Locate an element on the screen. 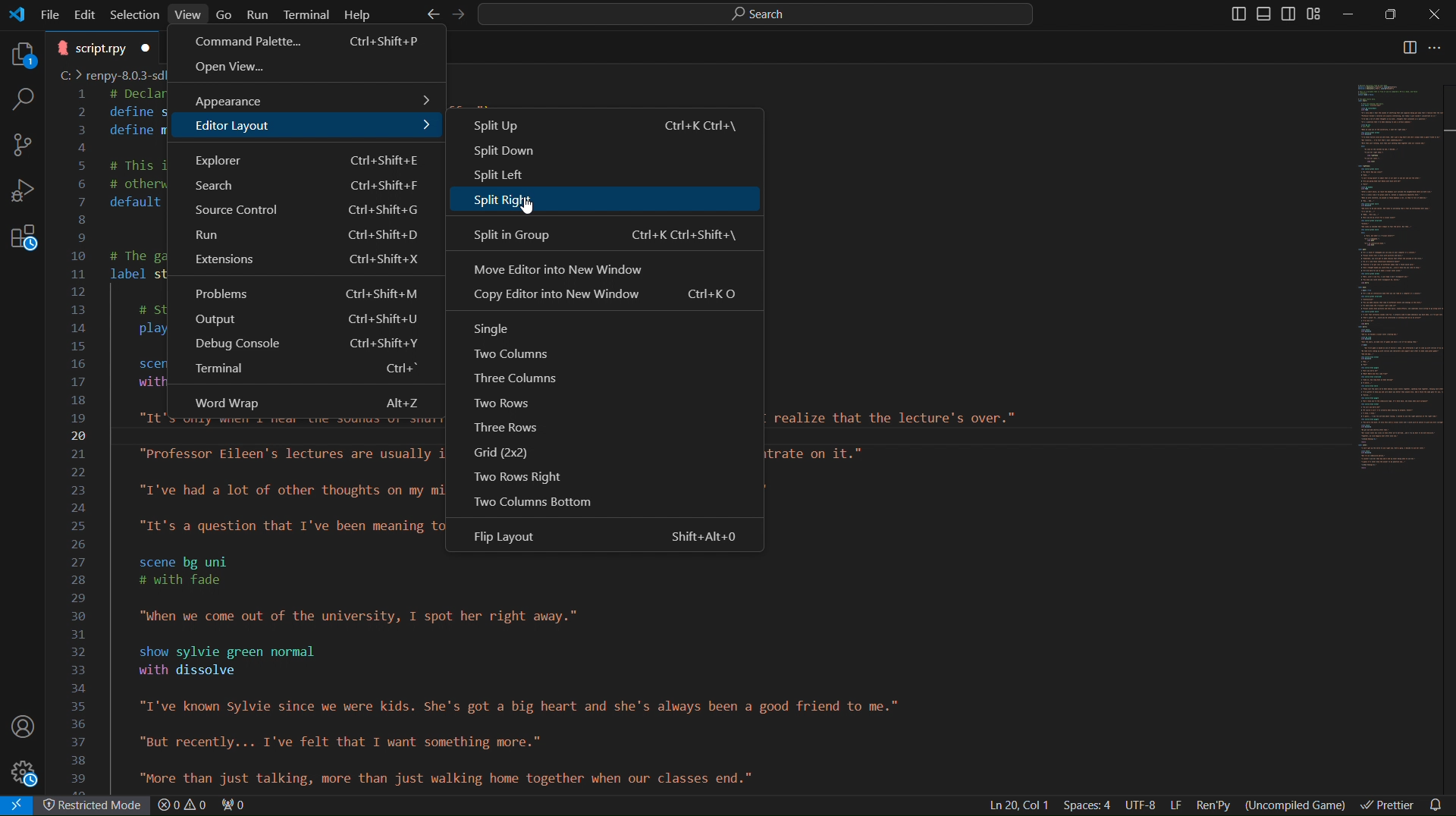 The image size is (1456, 816). Errors is located at coordinates (204, 806).